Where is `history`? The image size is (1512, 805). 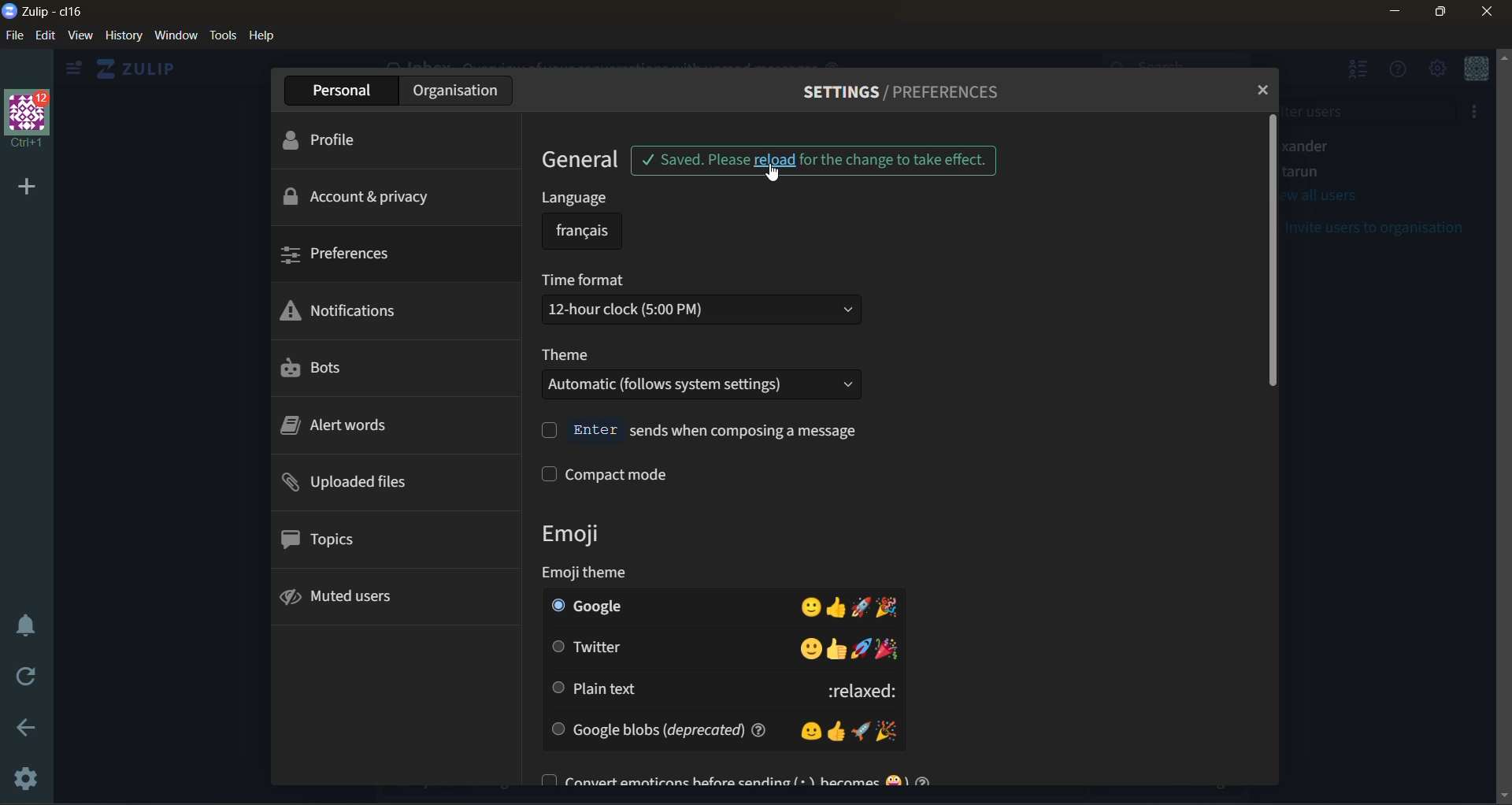 history is located at coordinates (123, 39).